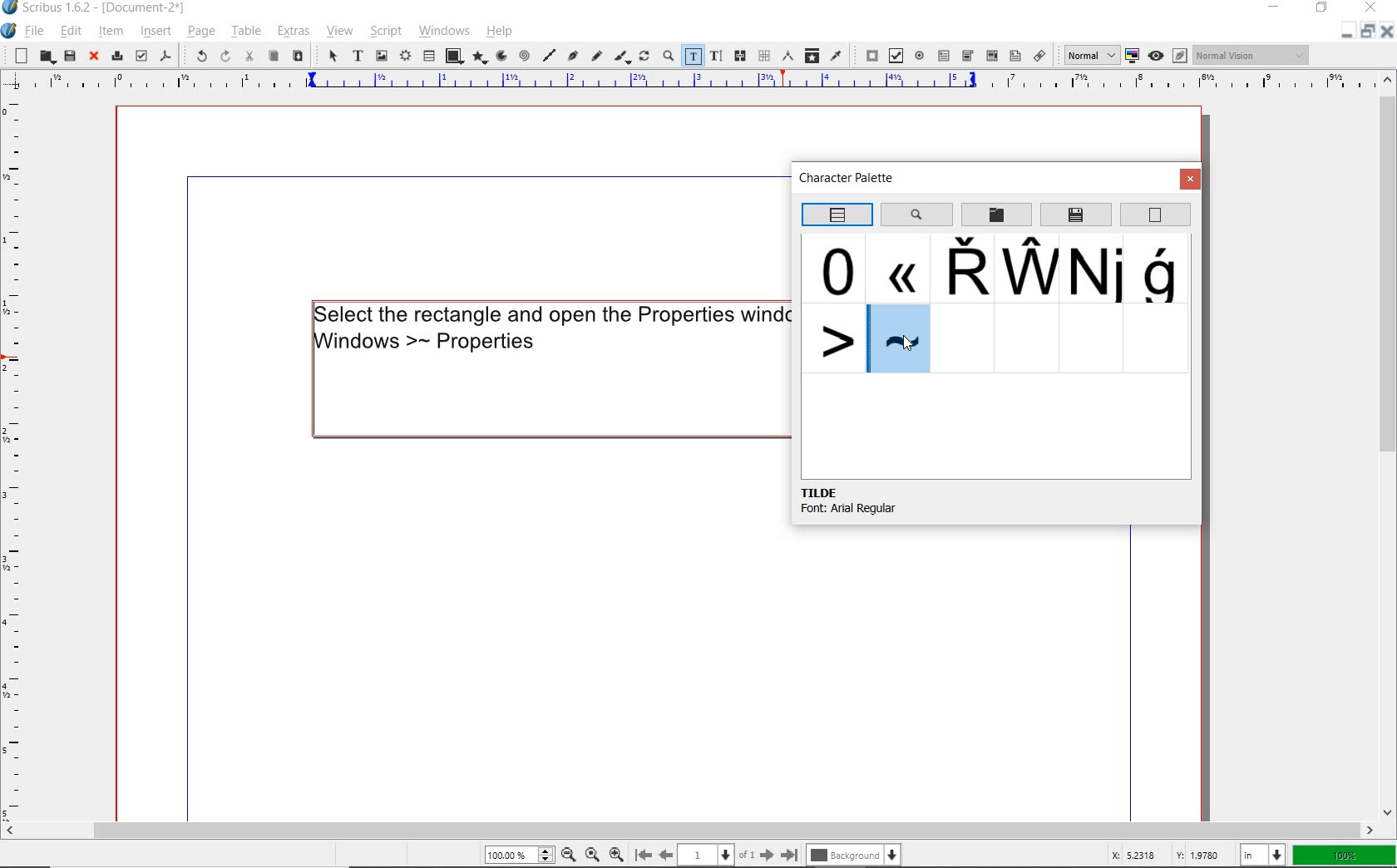  Describe the element at coordinates (111, 8) in the screenshot. I see `scribus 1.6.2 - [Document-2*]` at that location.